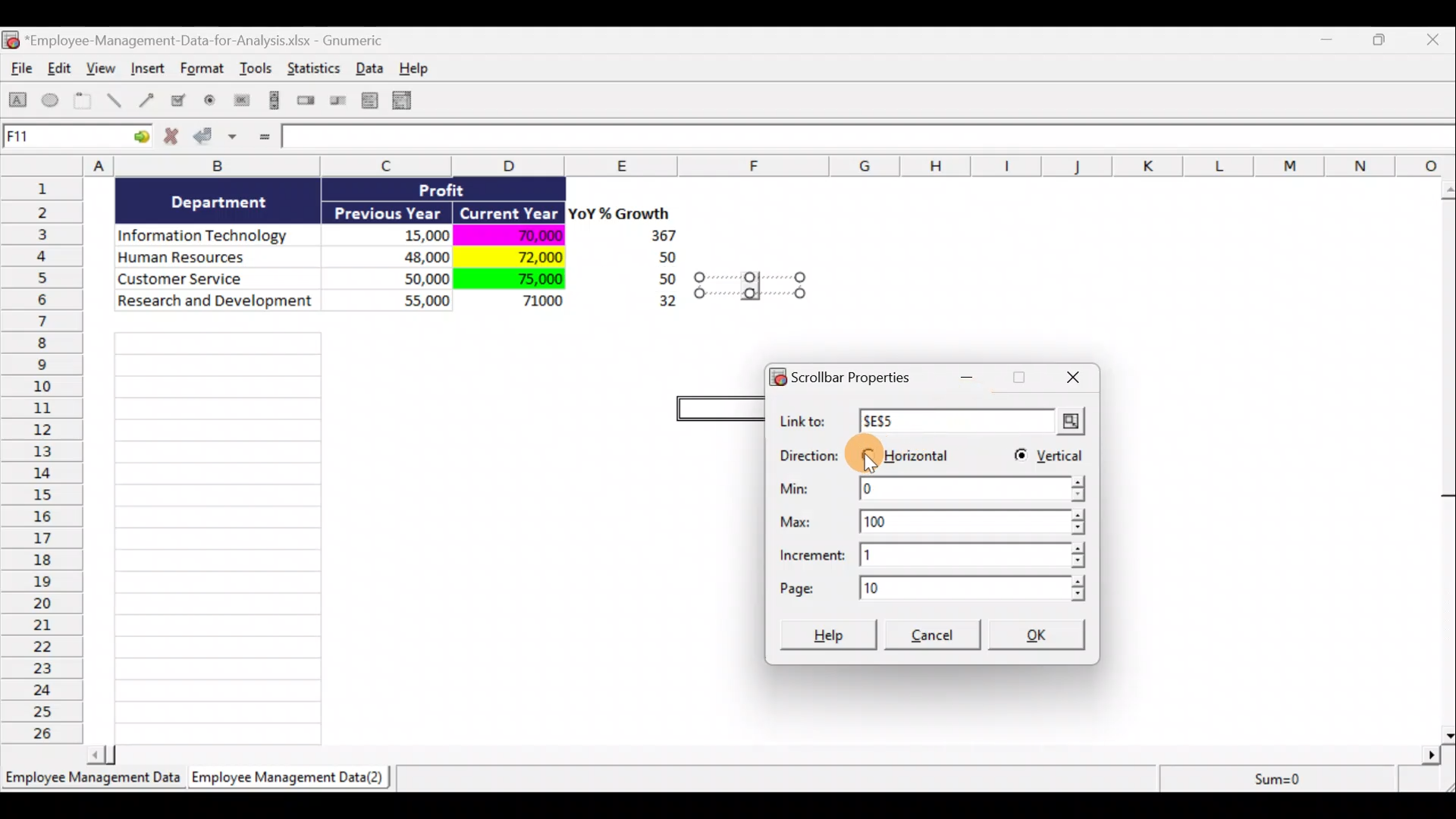 The image size is (1456, 819). Describe the element at coordinates (336, 103) in the screenshot. I see `Create a slider` at that location.